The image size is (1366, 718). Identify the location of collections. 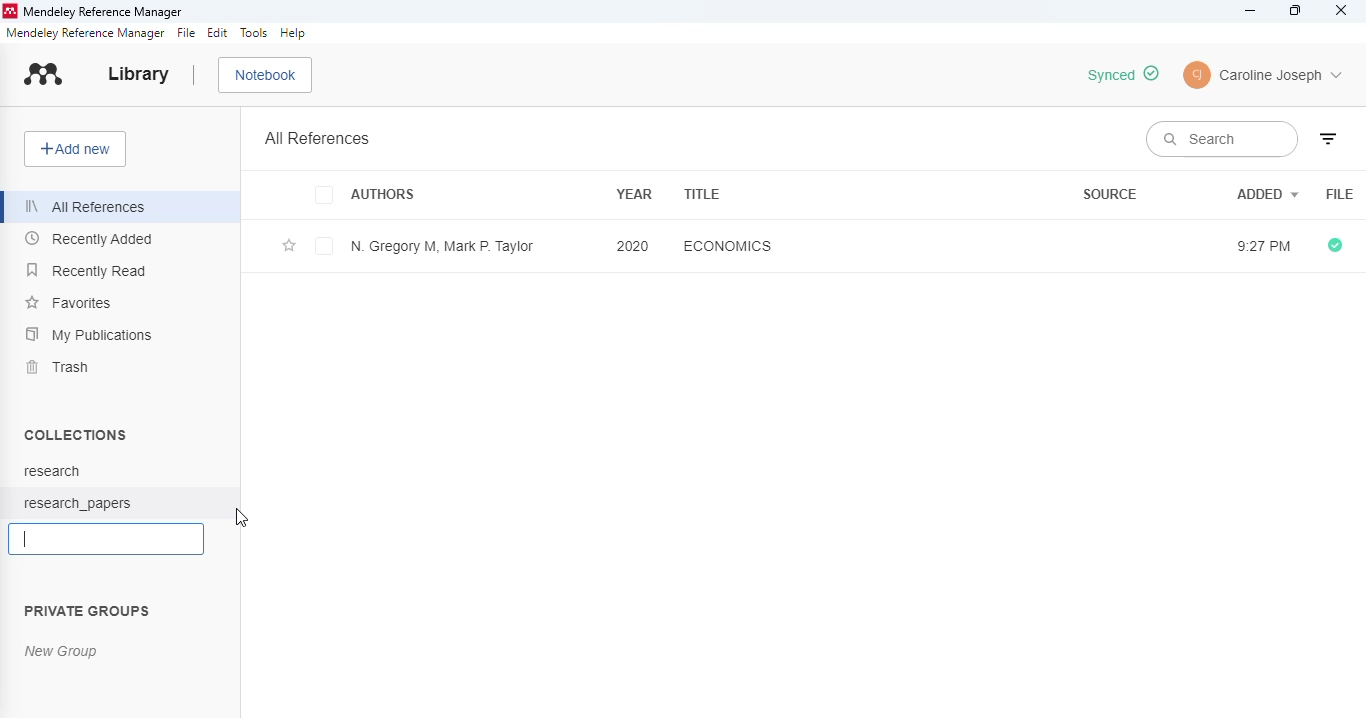
(77, 434).